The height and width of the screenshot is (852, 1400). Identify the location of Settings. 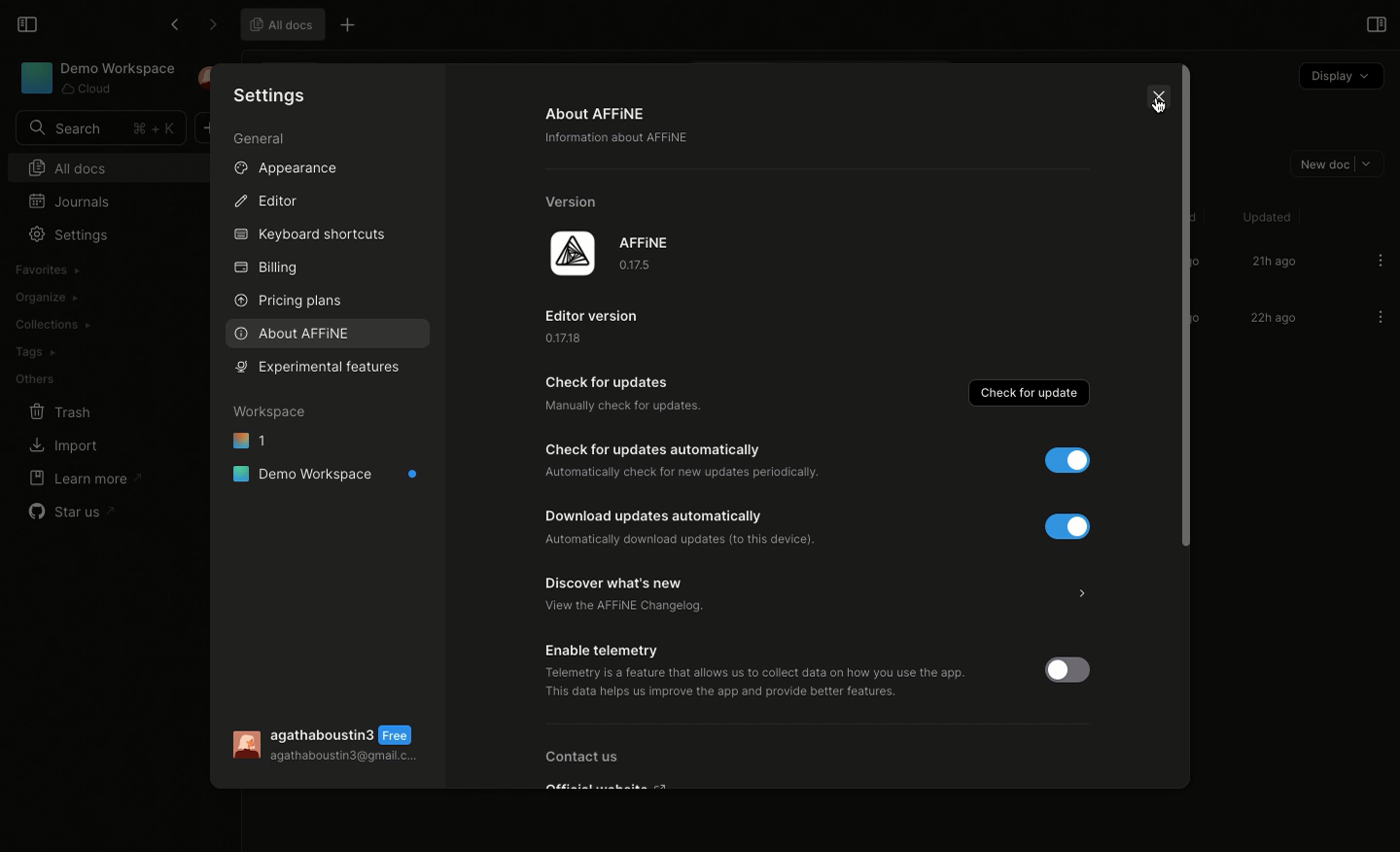
(67, 234).